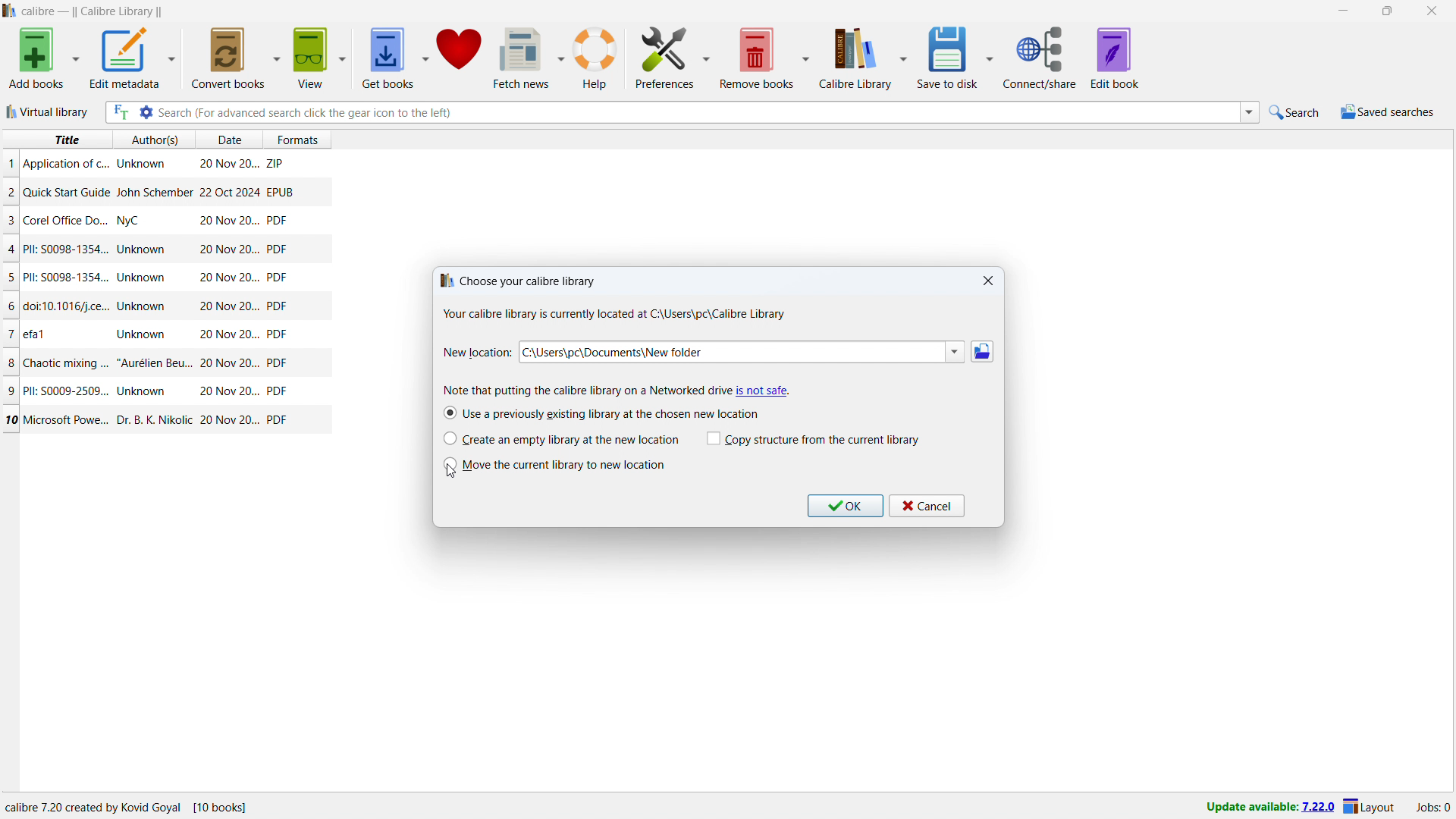 The image size is (1456, 819). Describe the element at coordinates (730, 352) in the screenshot. I see `location selected` at that location.